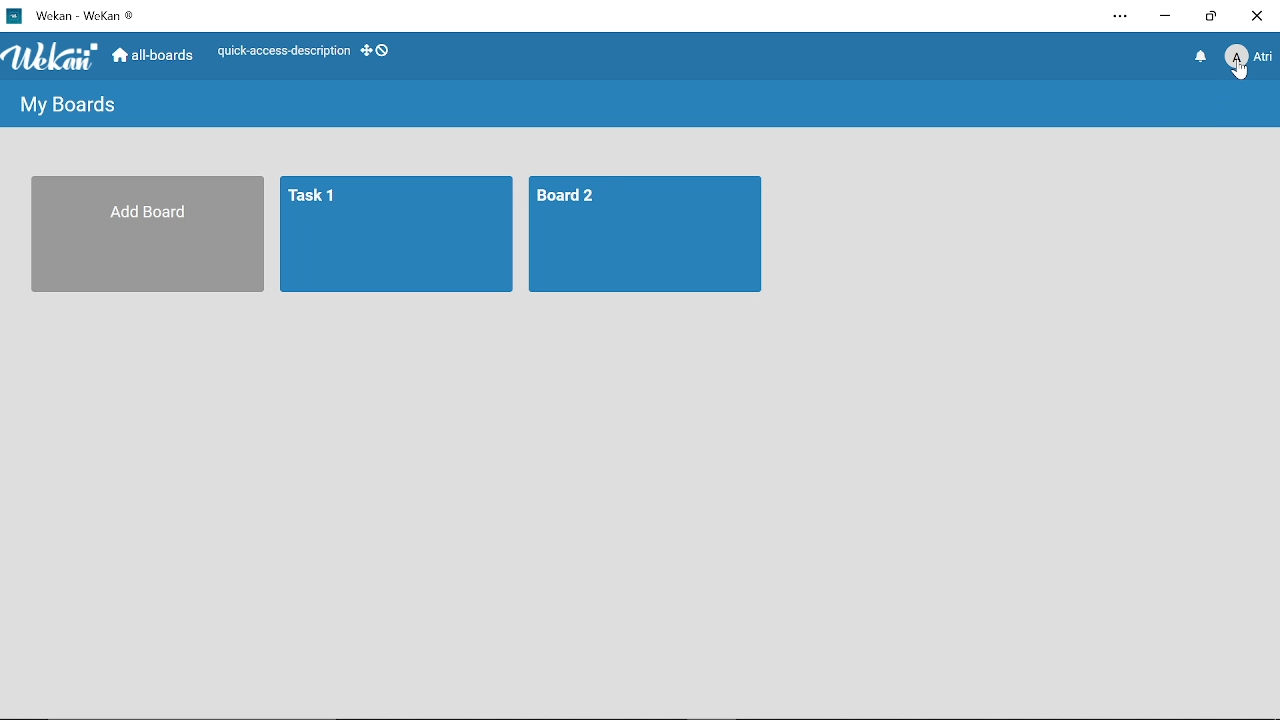 The image size is (1280, 720). I want to click on Settings and more, so click(1119, 17).